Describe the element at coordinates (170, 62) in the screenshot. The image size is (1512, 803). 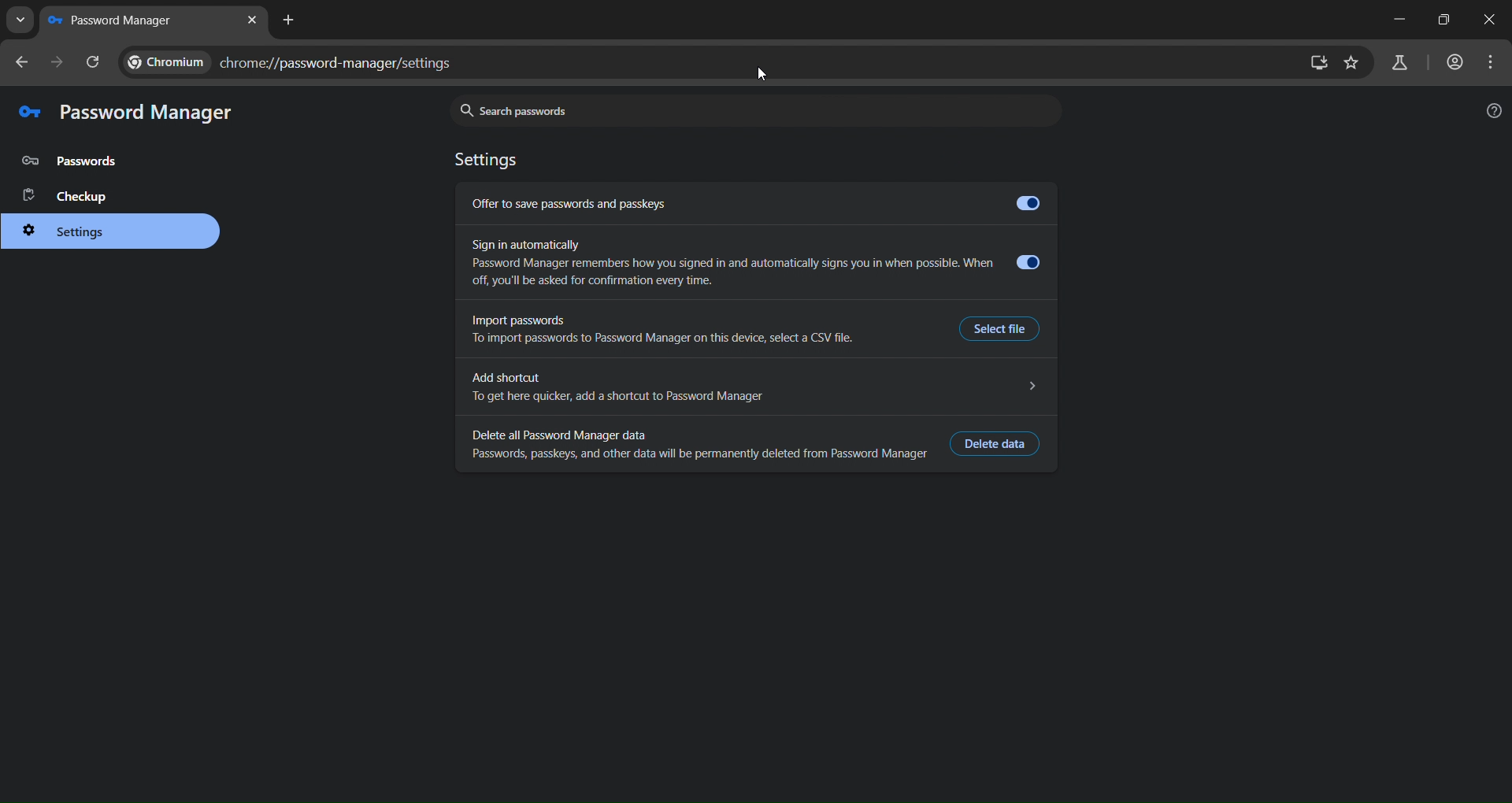
I see `CHROME` at that location.